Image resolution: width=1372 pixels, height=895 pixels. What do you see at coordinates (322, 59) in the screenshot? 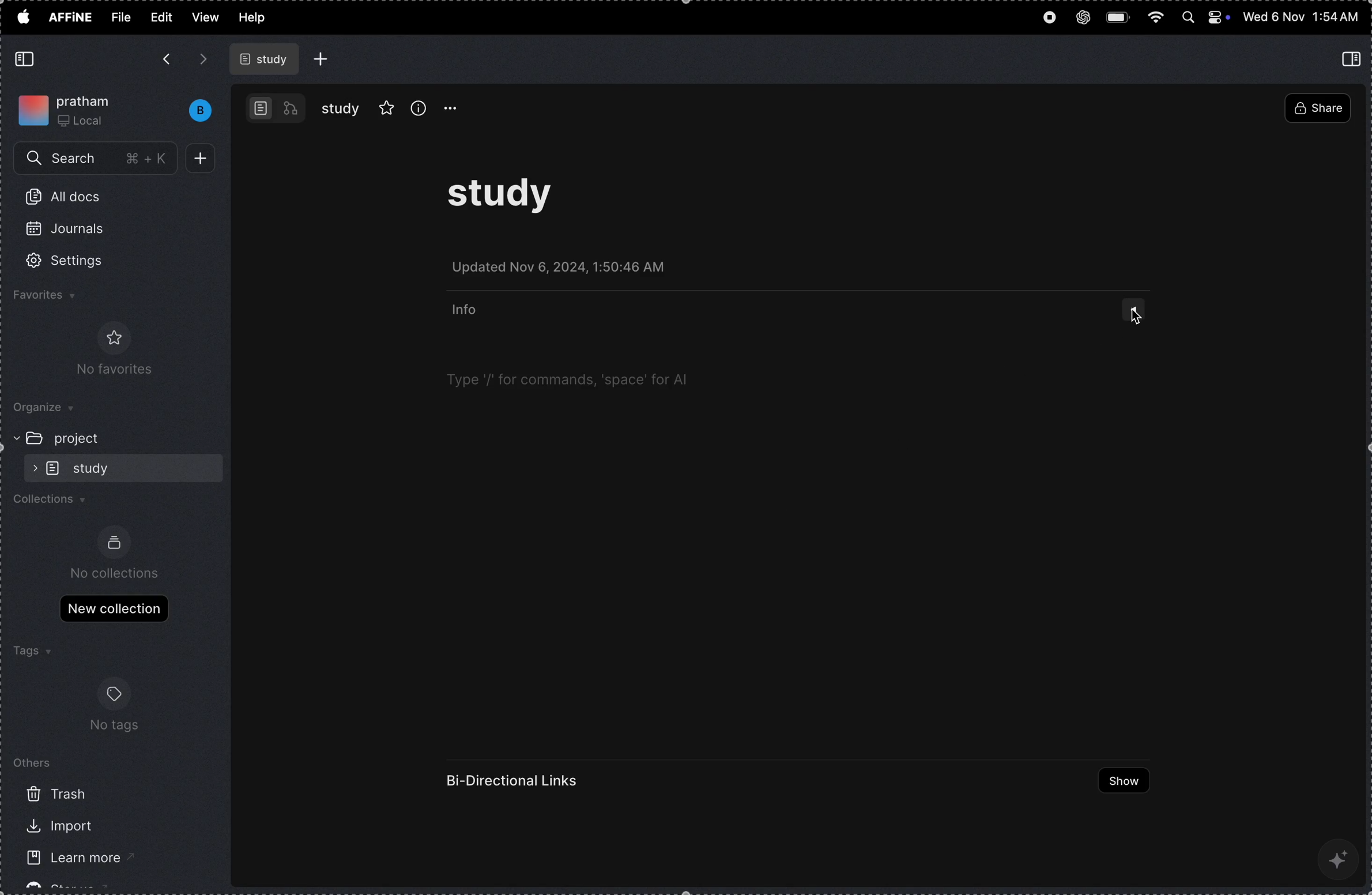
I see `add file` at bounding box center [322, 59].